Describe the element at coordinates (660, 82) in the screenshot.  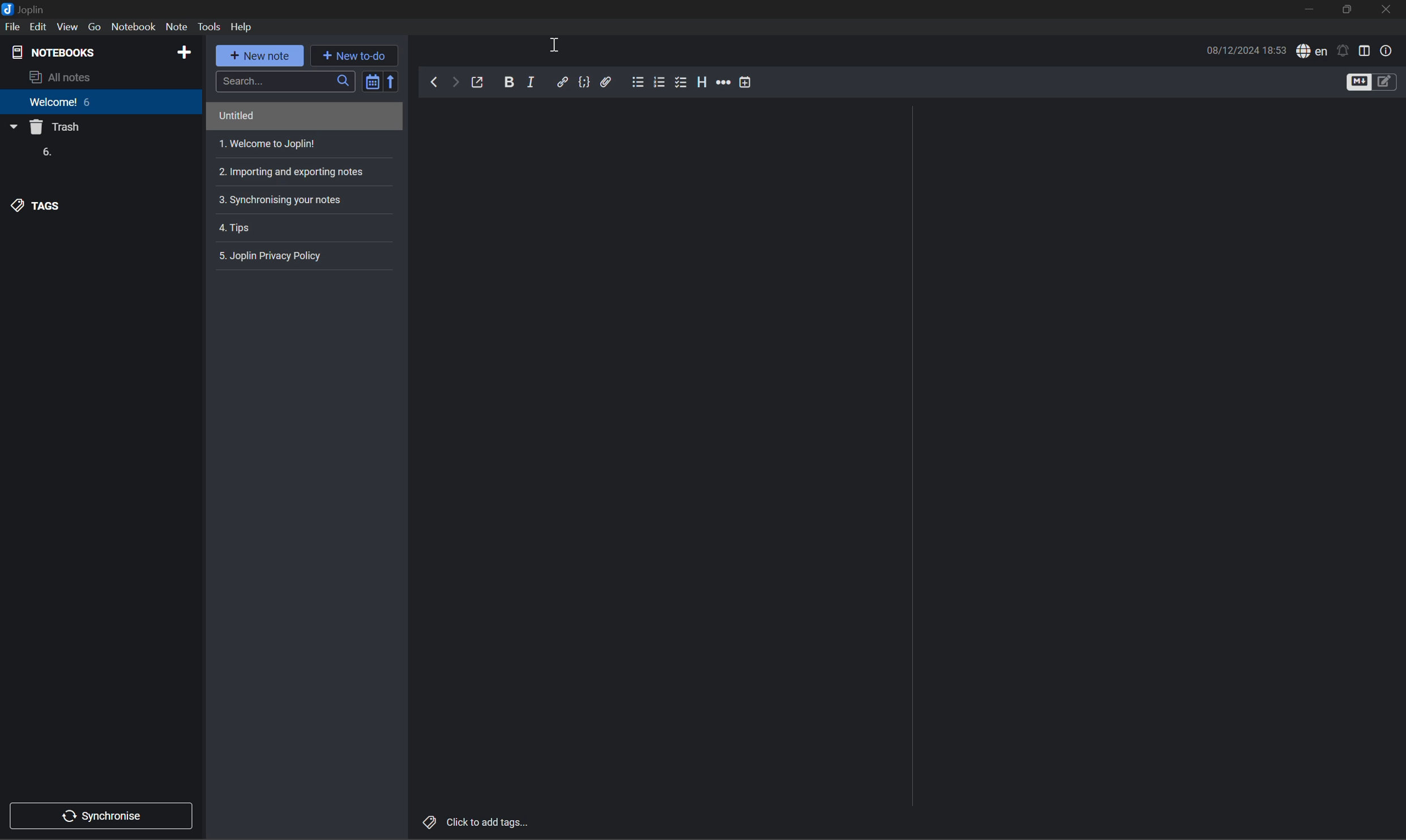
I see `Numbered list` at that location.